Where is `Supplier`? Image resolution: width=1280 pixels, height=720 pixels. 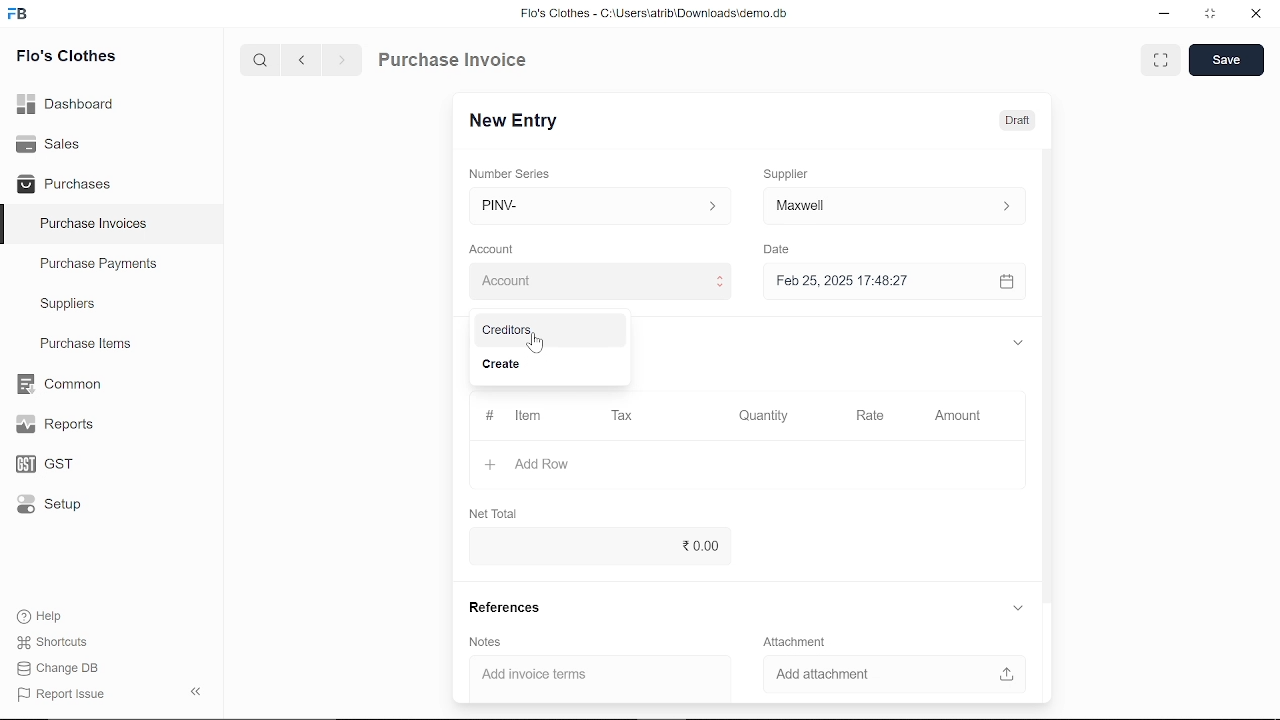
Supplier is located at coordinates (797, 172).